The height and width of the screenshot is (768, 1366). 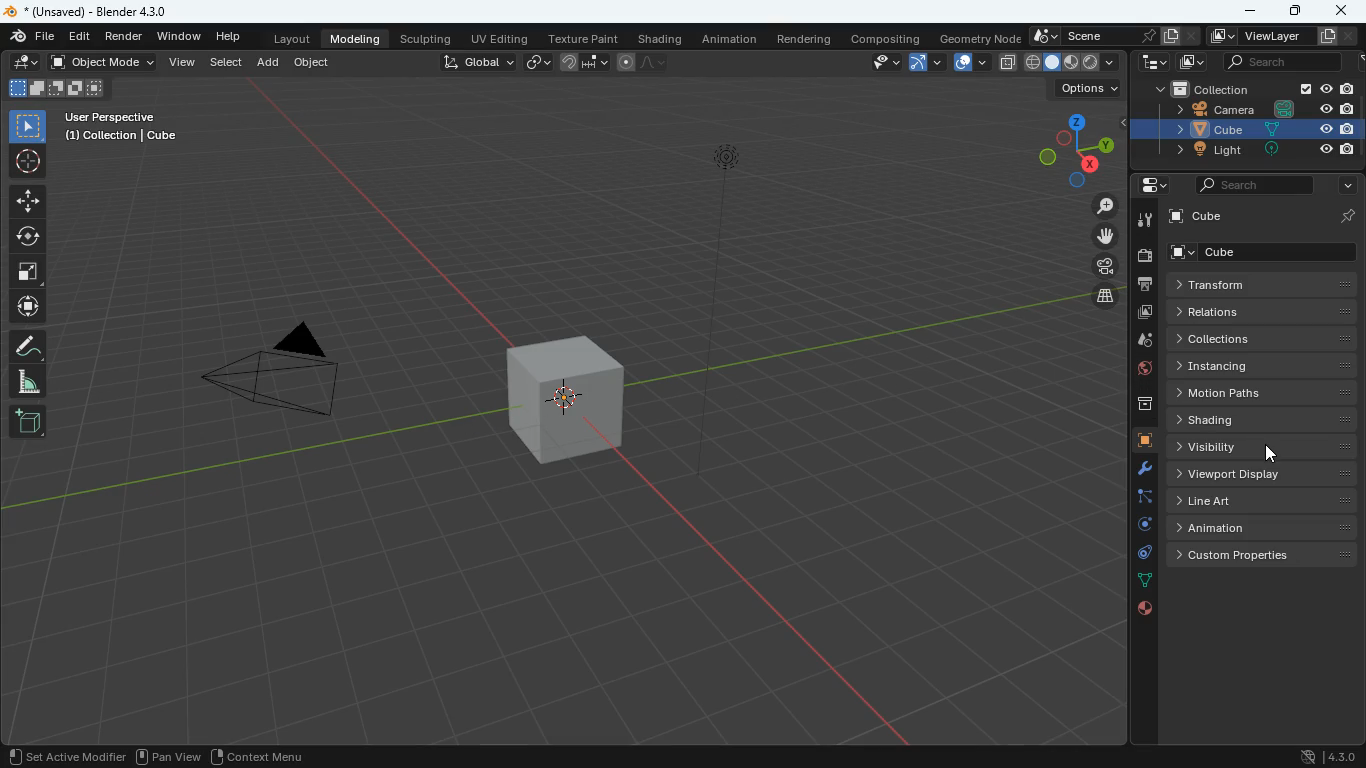 I want to click on edit, so click(x=79, y=37).